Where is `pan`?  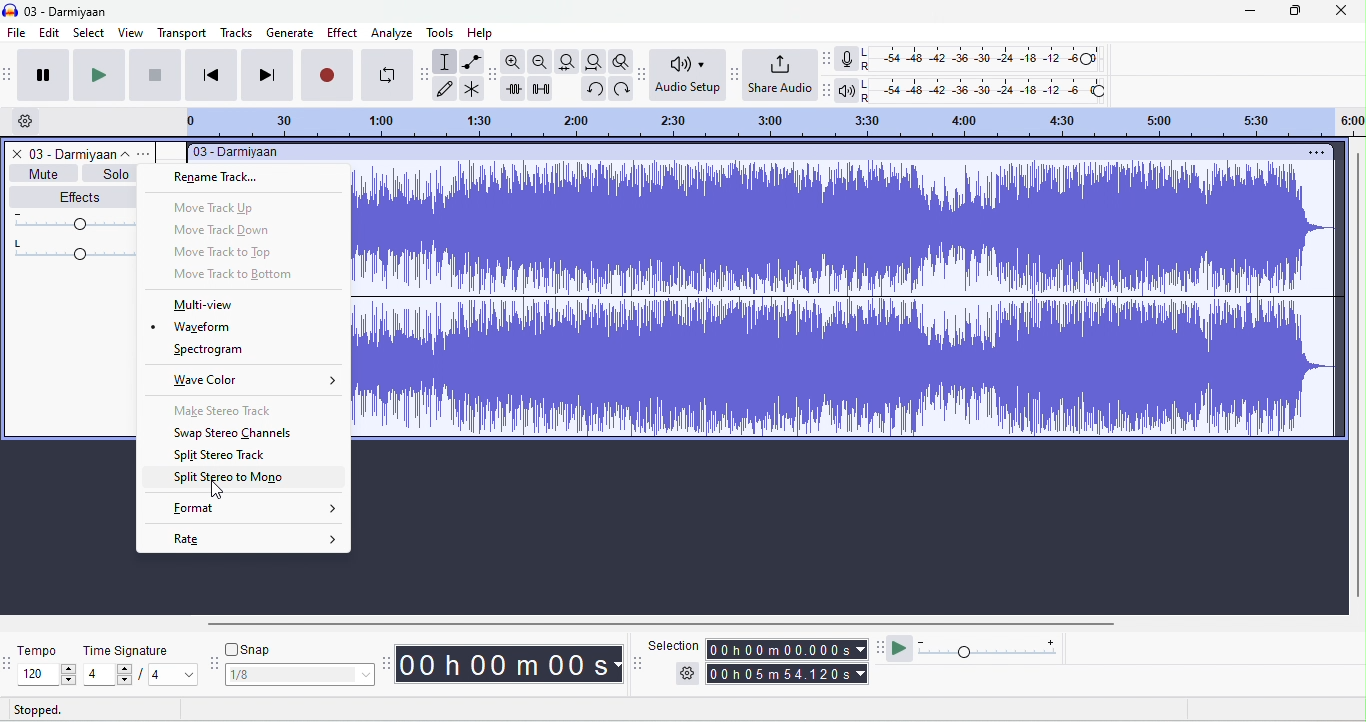
pan is located at coordinates (78, 250).